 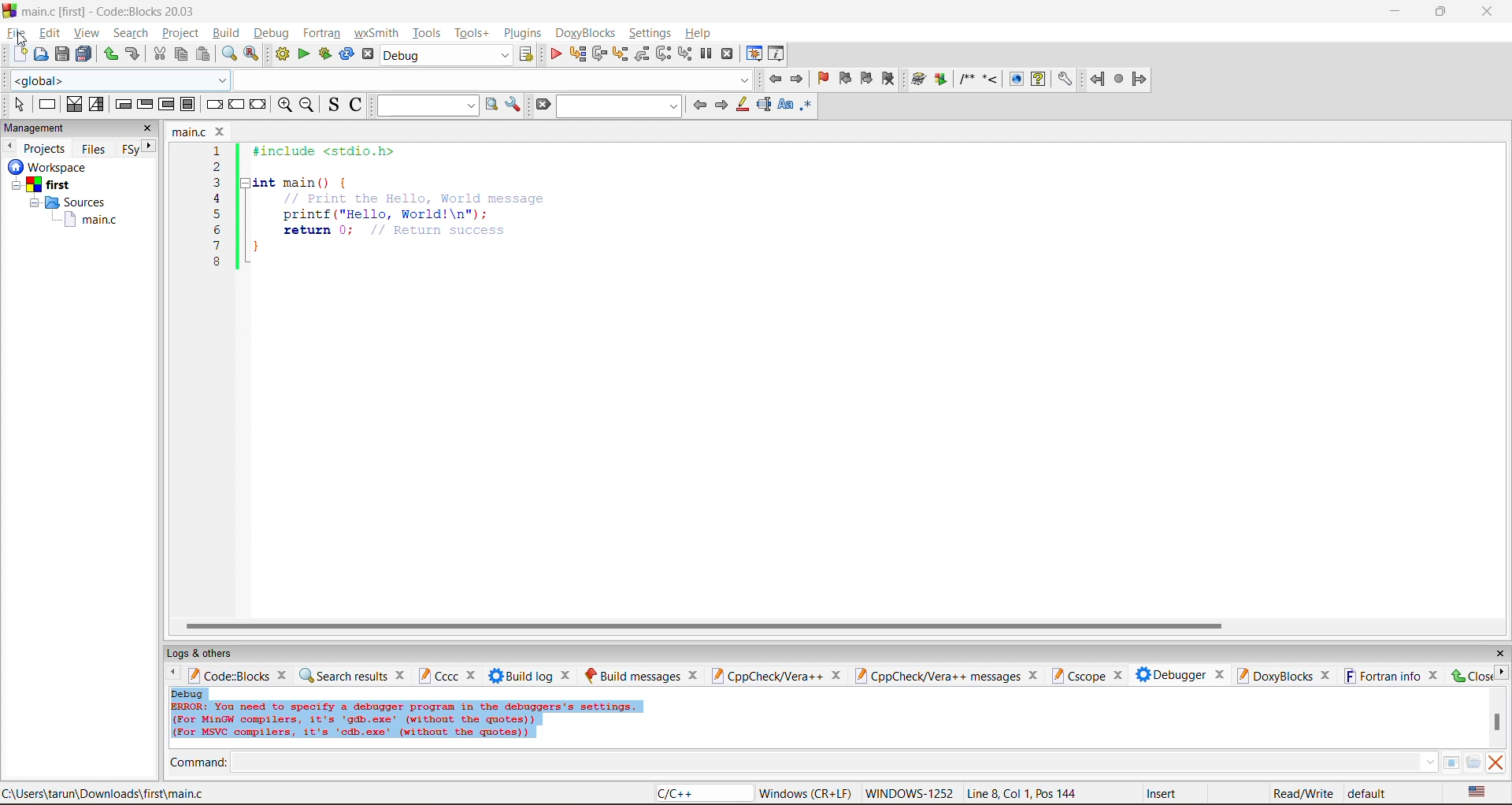 I want to click on search results, so click(x=343, y=675).